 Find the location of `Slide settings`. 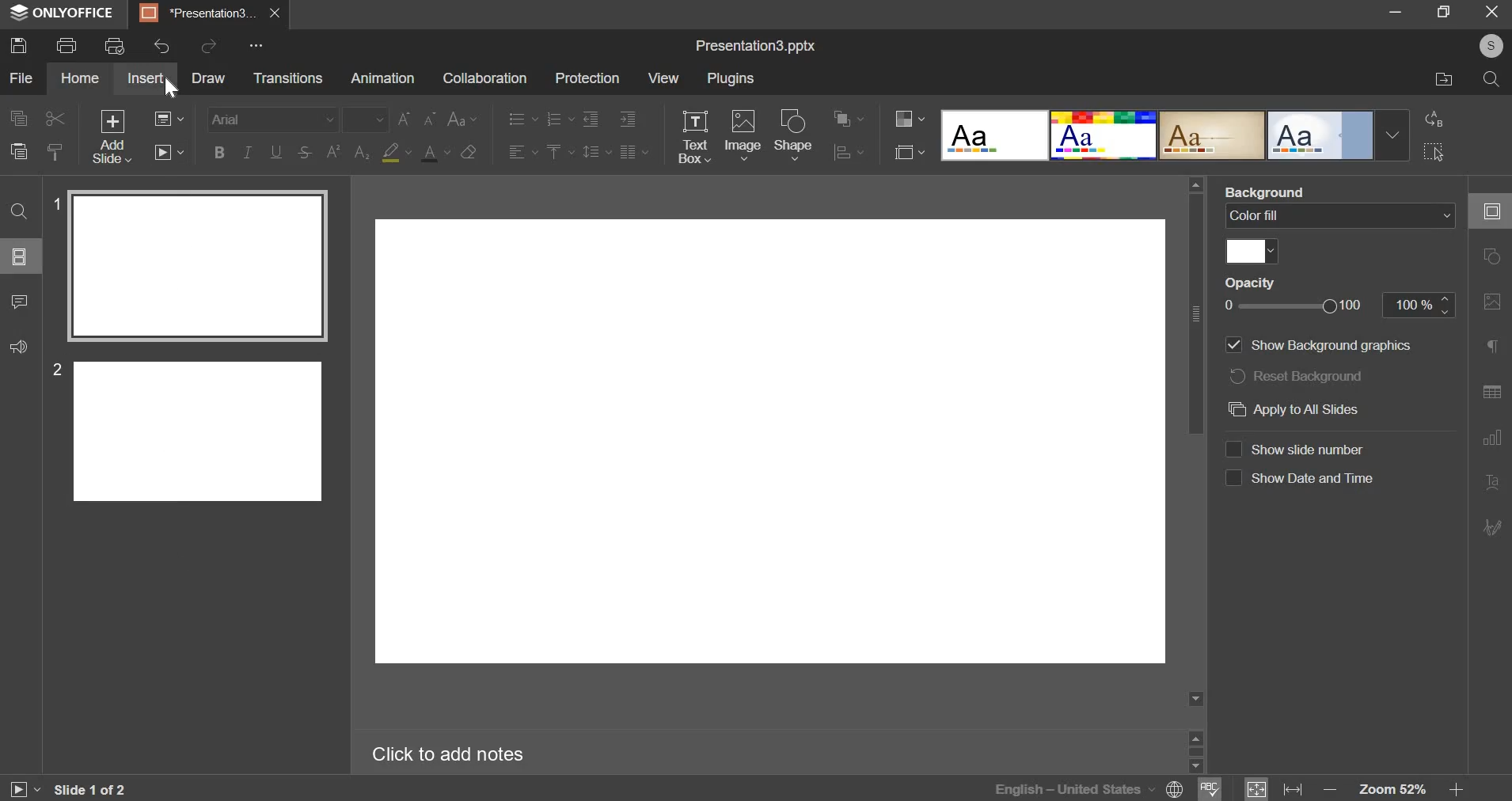

Slide settings is located at coordinates (1491, 211).